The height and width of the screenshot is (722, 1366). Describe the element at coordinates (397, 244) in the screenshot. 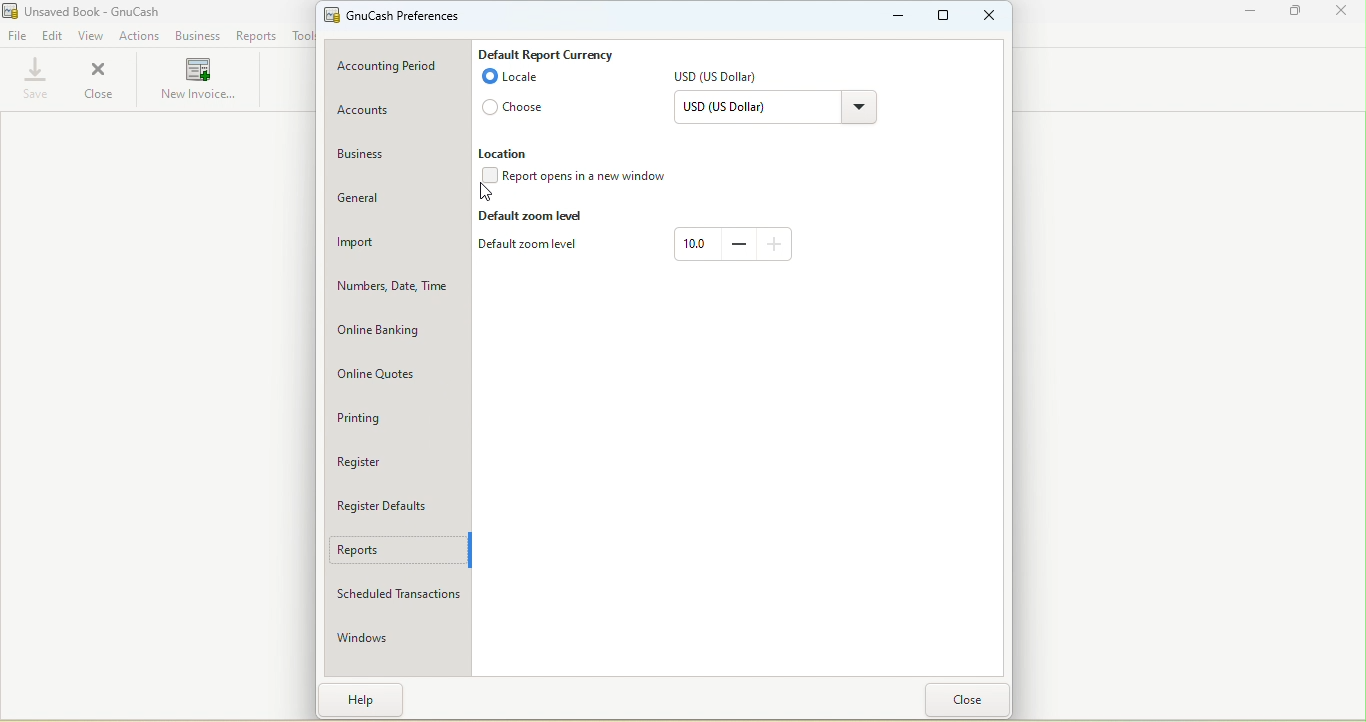

I see `Import` at that location.